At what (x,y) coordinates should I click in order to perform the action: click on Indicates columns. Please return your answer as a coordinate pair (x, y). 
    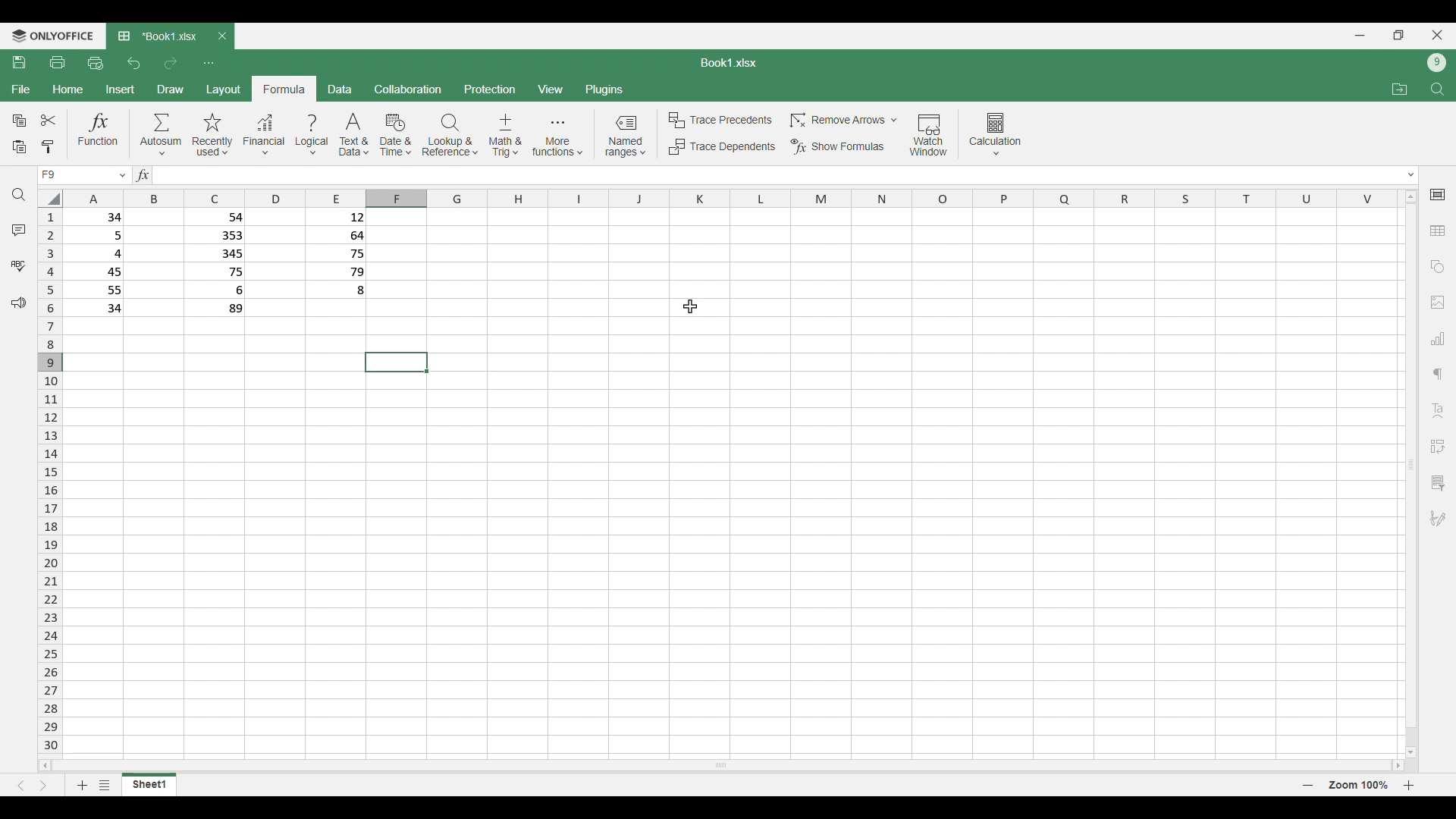
    Looking at the image, I should click on (726, 199).